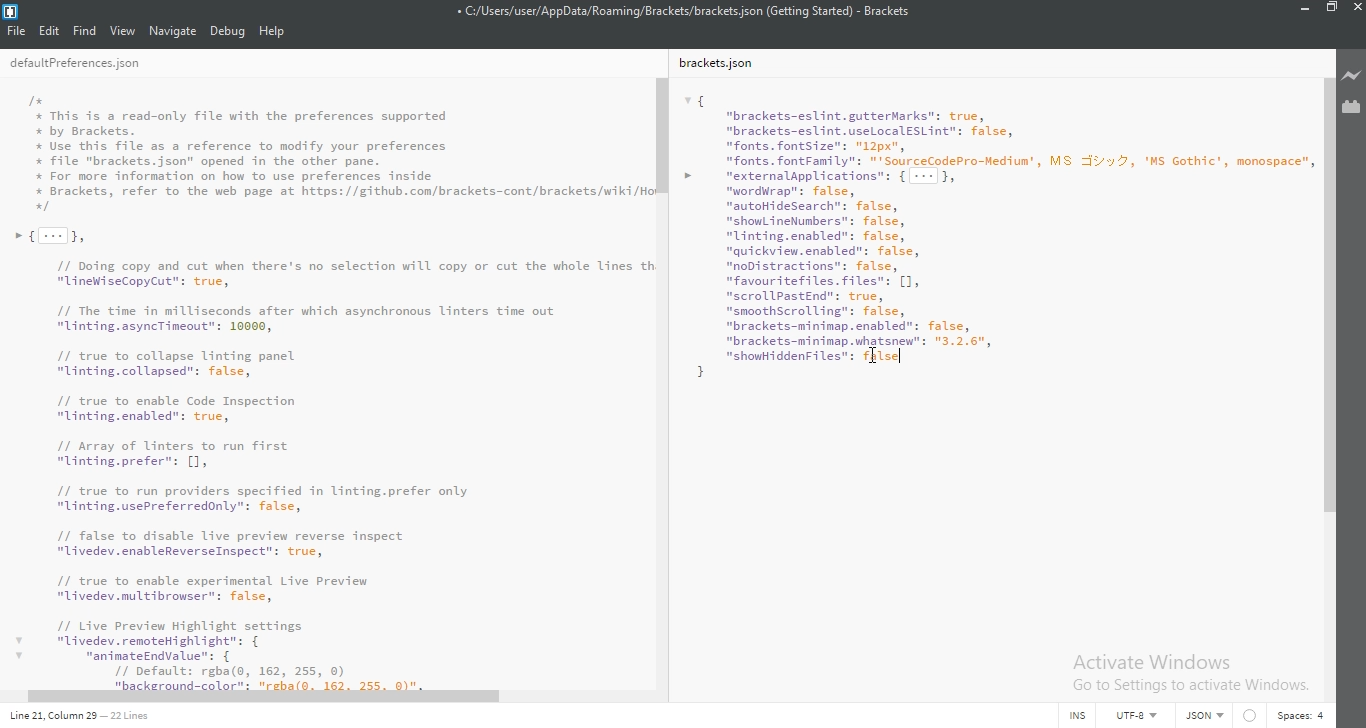  I want to click on extension manager, so click(1351, 105).